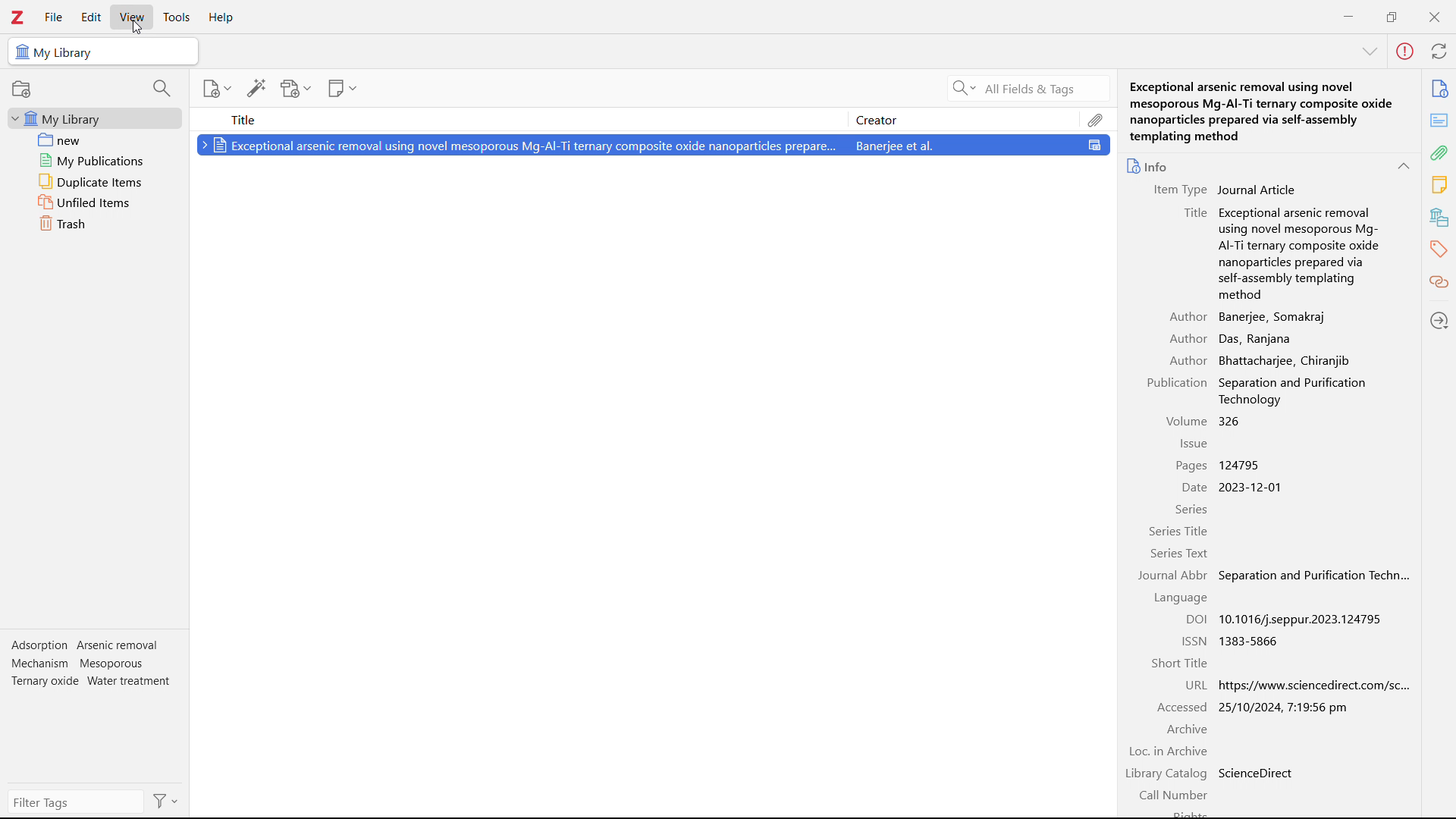  I want to click on https://www.sciencedirect.com/sc..., so click(1313, 685).